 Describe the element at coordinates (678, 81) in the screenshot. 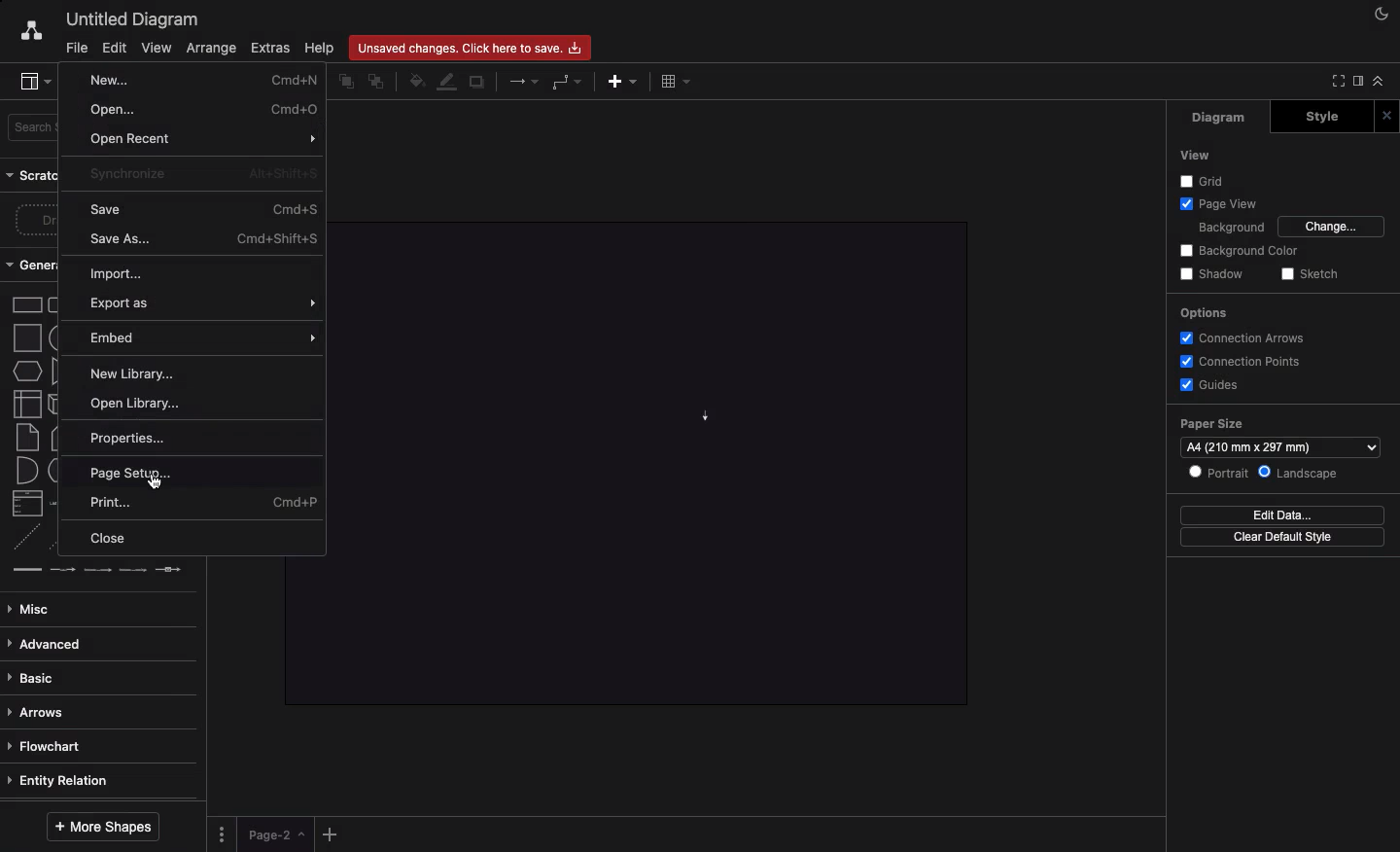

I see `Table` at that location.